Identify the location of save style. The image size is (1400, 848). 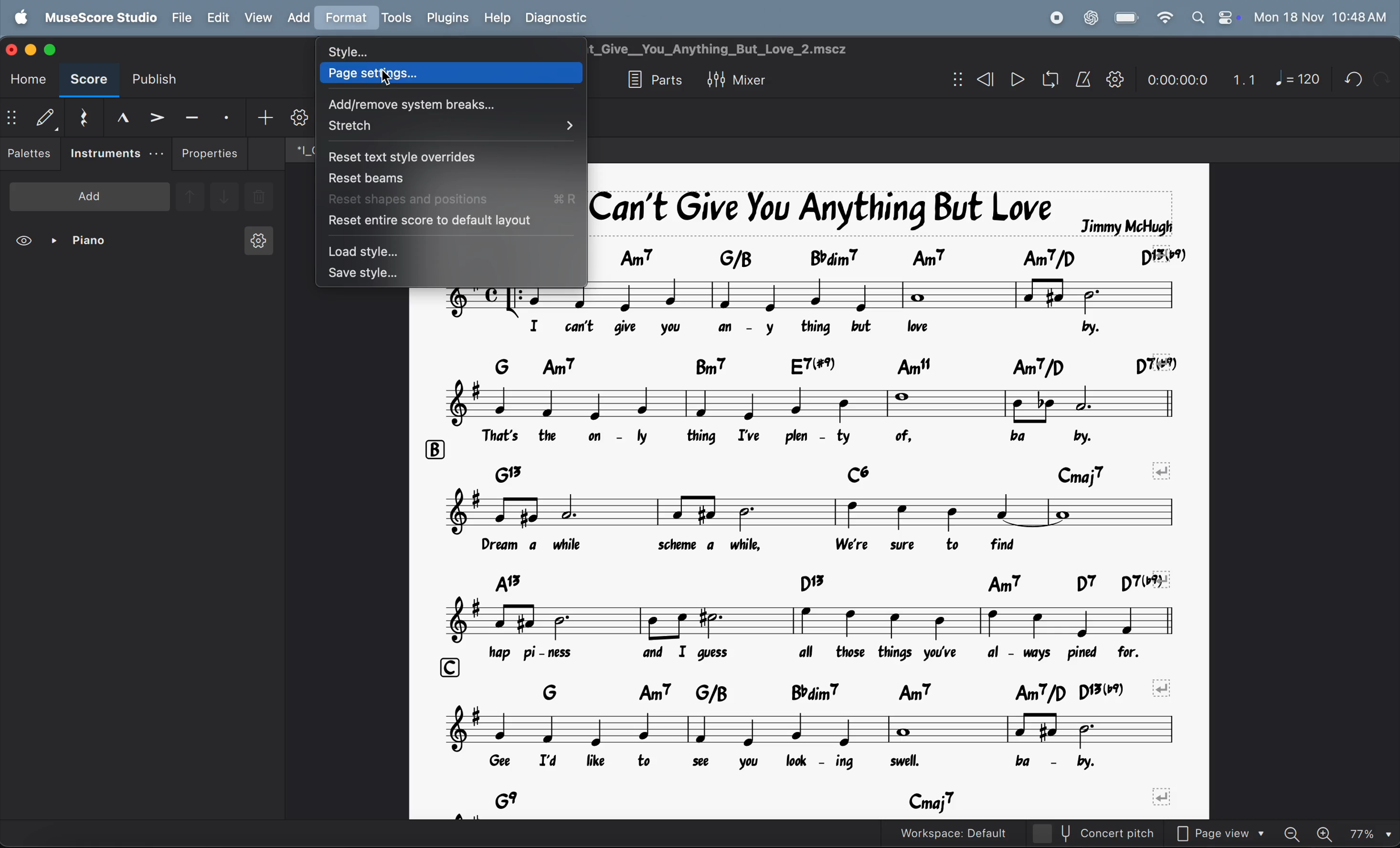
(453, 274).